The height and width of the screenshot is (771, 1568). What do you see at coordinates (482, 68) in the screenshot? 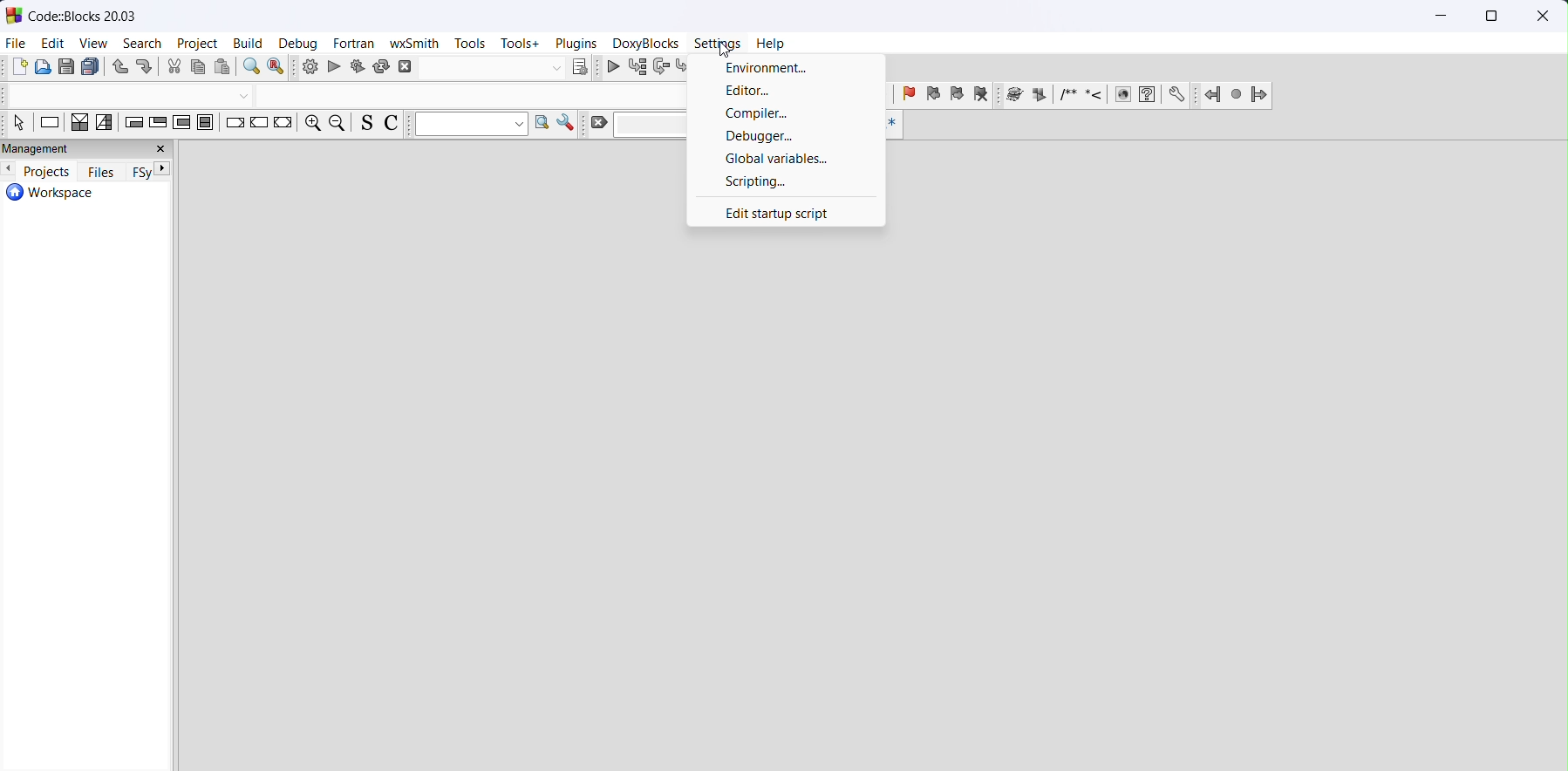
I see `abort` at bounding box center [482, 68].